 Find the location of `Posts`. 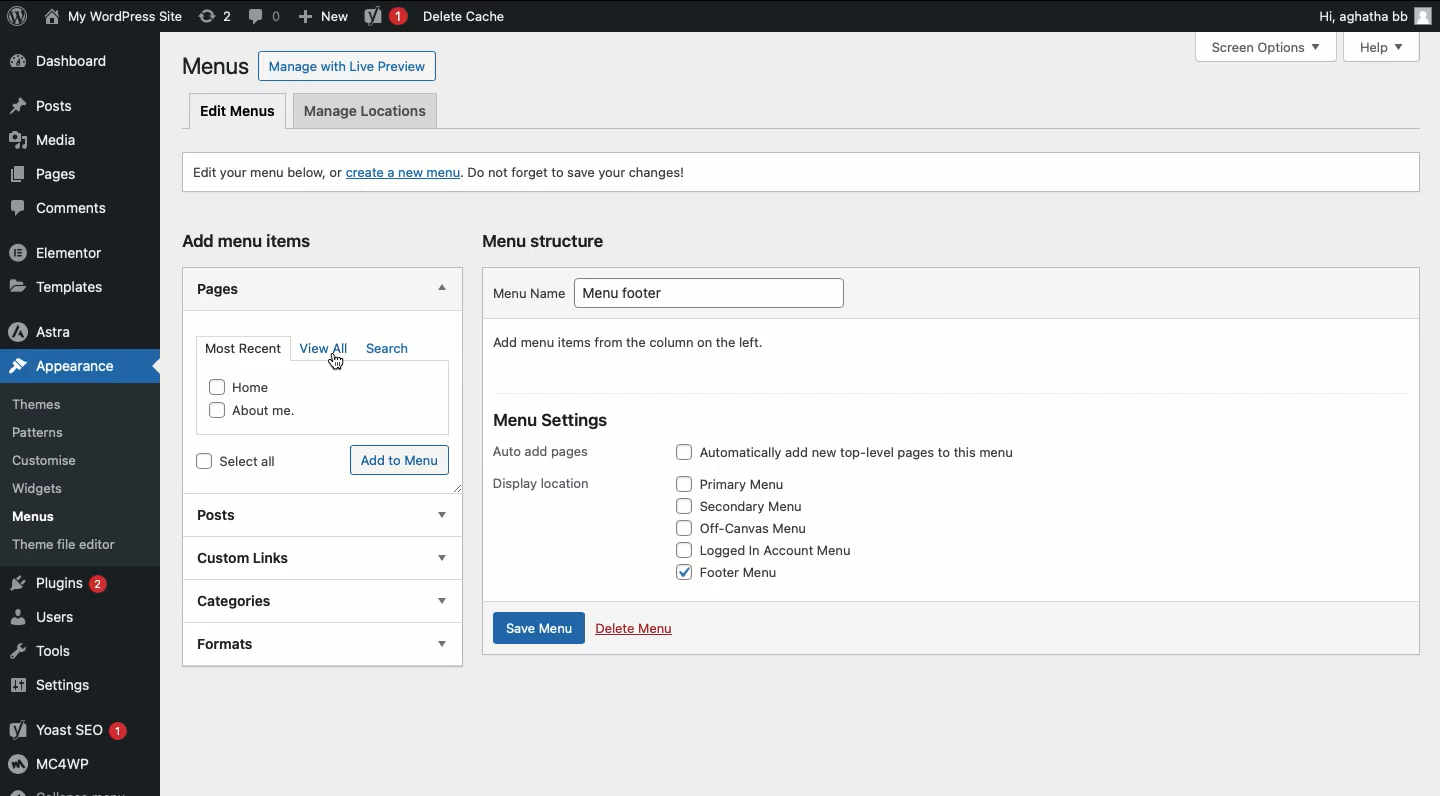

Posts is located at coordinates (297, 512).